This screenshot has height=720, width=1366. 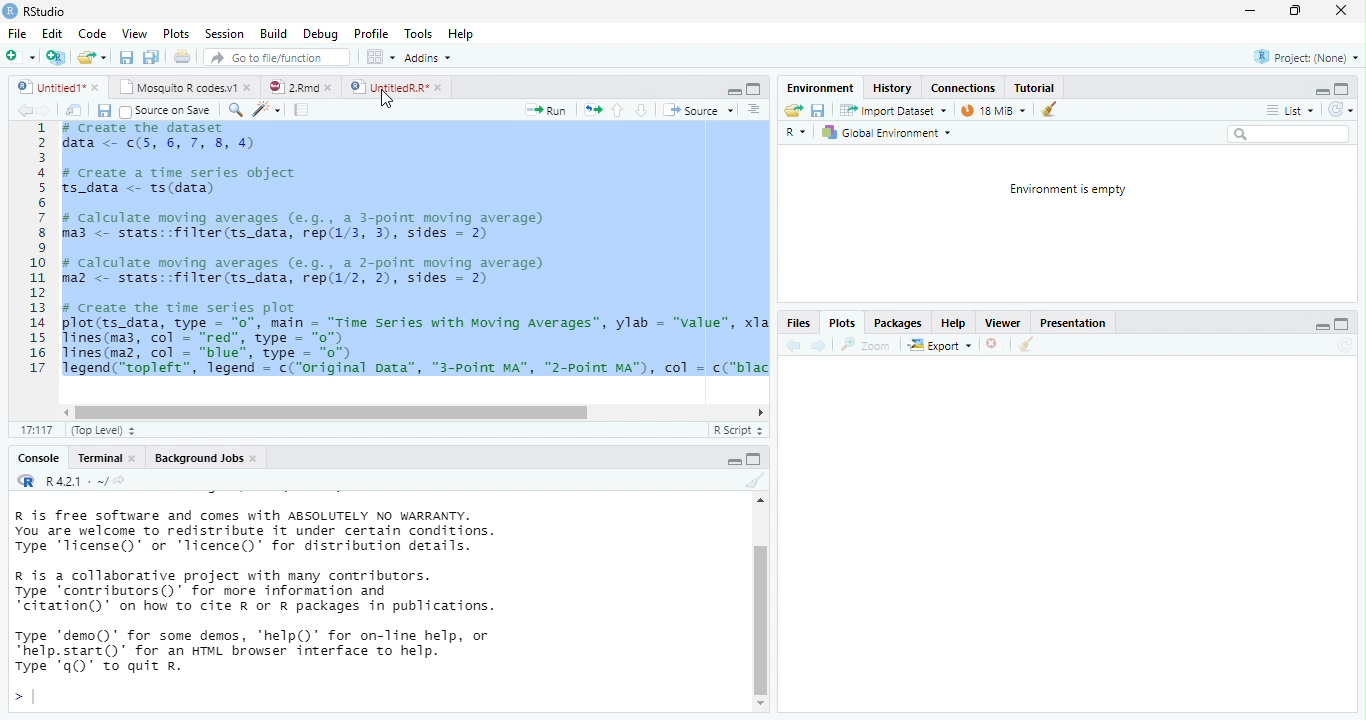 I want to click on Files, so click(x=797, y=324).